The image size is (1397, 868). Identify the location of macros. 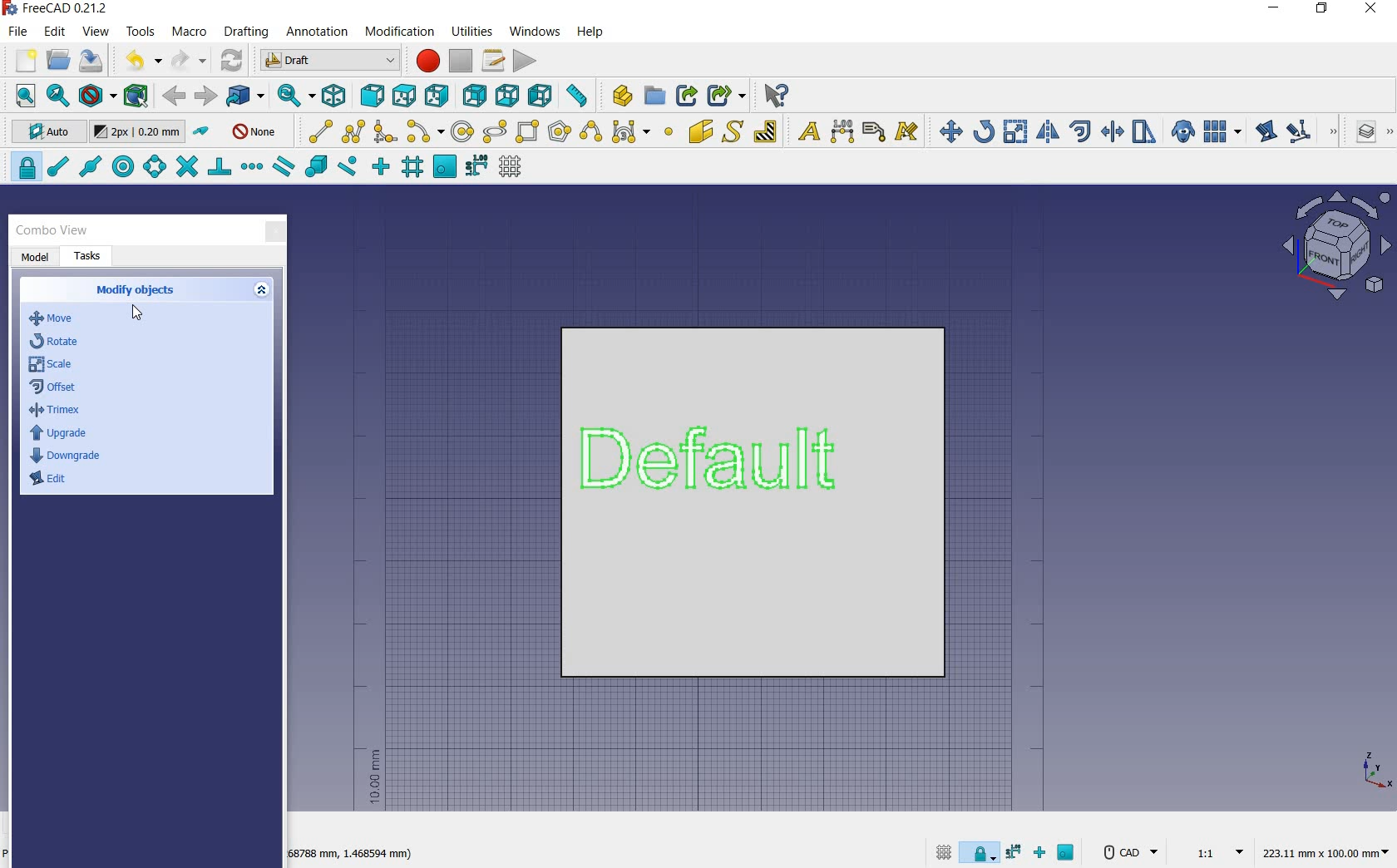
(494, 61).